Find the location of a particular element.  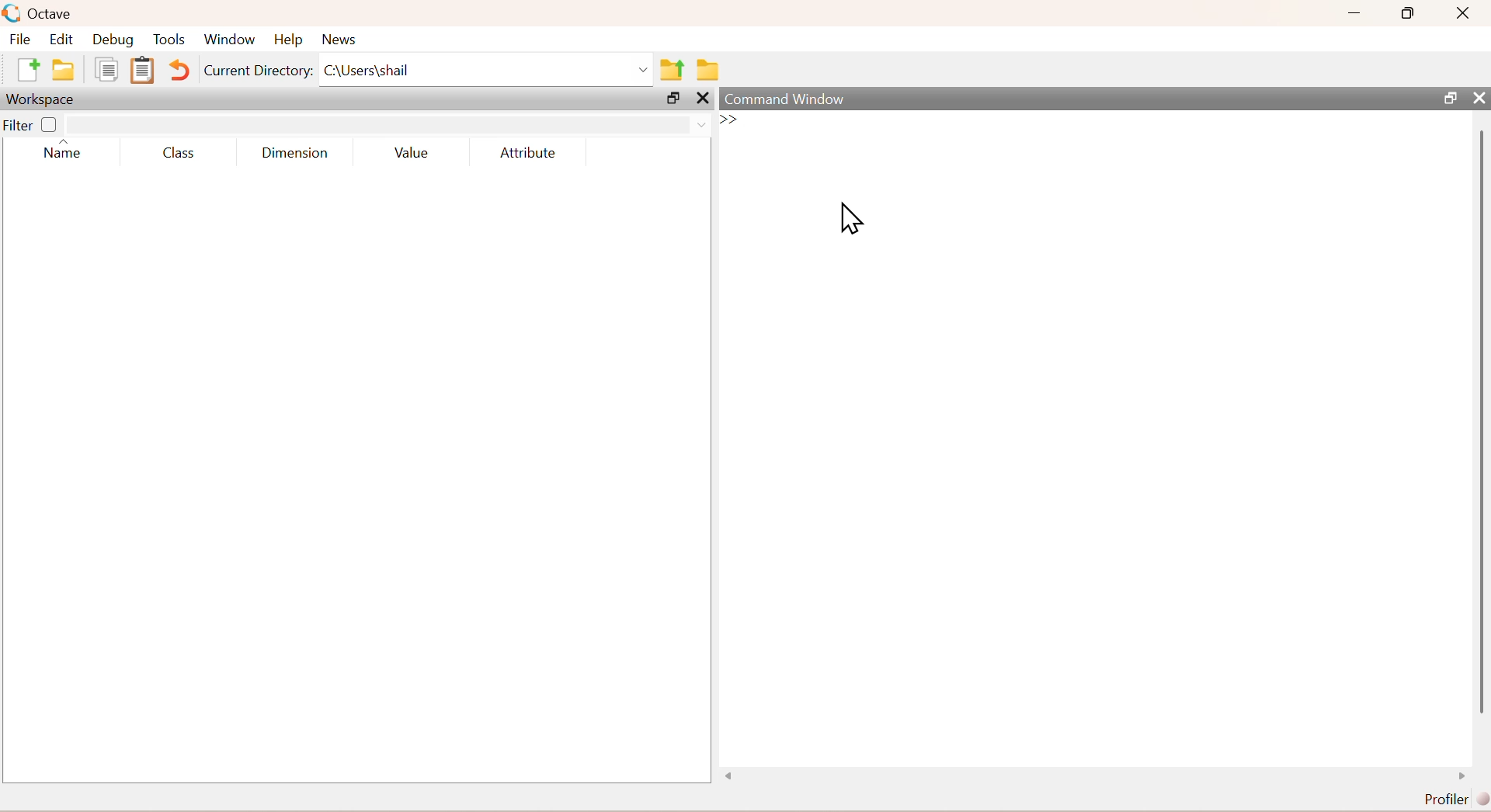

class is located at coordinates (180, 154).